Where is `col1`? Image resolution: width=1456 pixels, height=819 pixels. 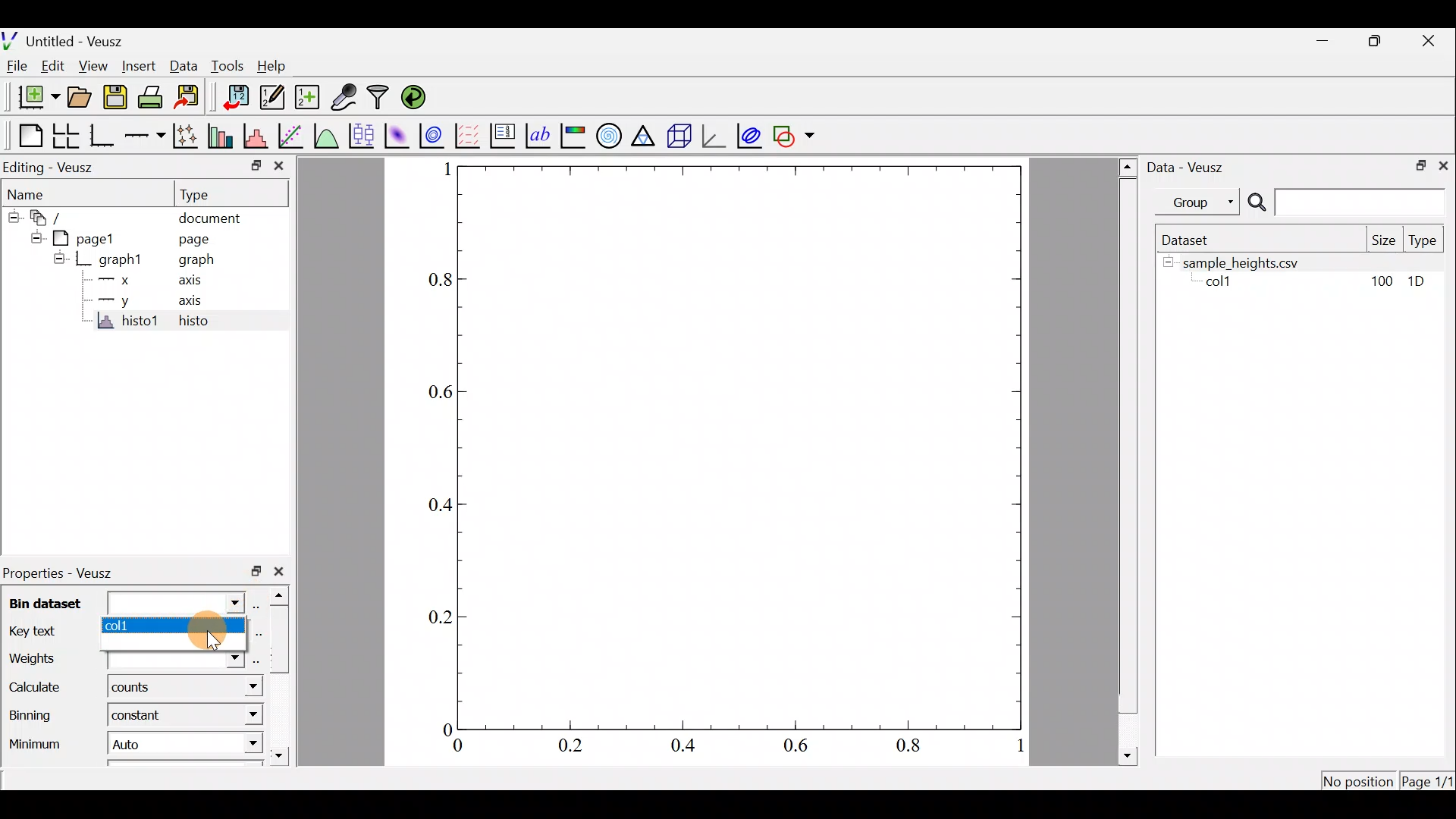 col1 is located at coordinates (162, 623).